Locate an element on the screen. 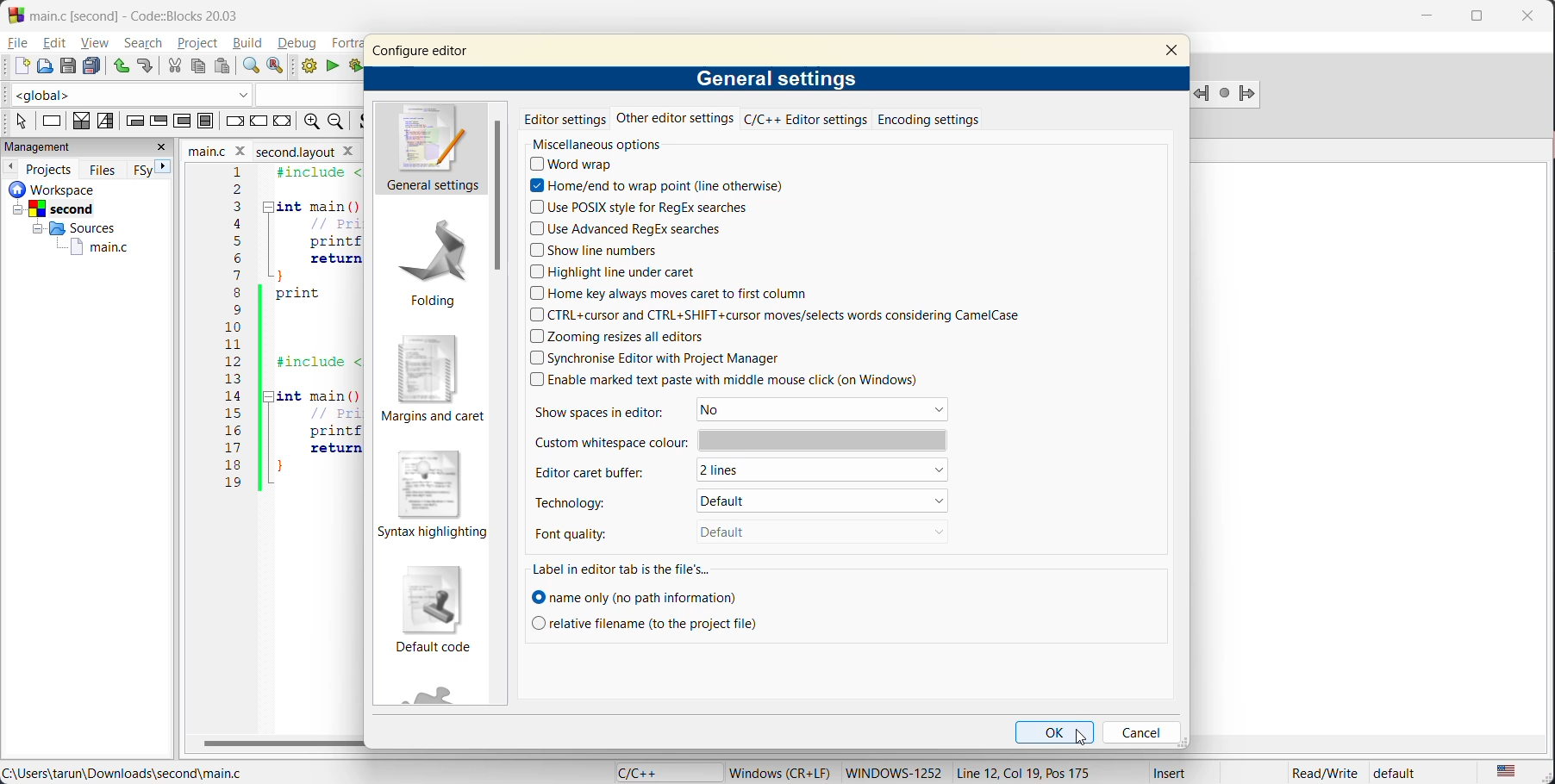 This screenshot has width=1555, height=784. text language is located at coordinates (1509, 770).